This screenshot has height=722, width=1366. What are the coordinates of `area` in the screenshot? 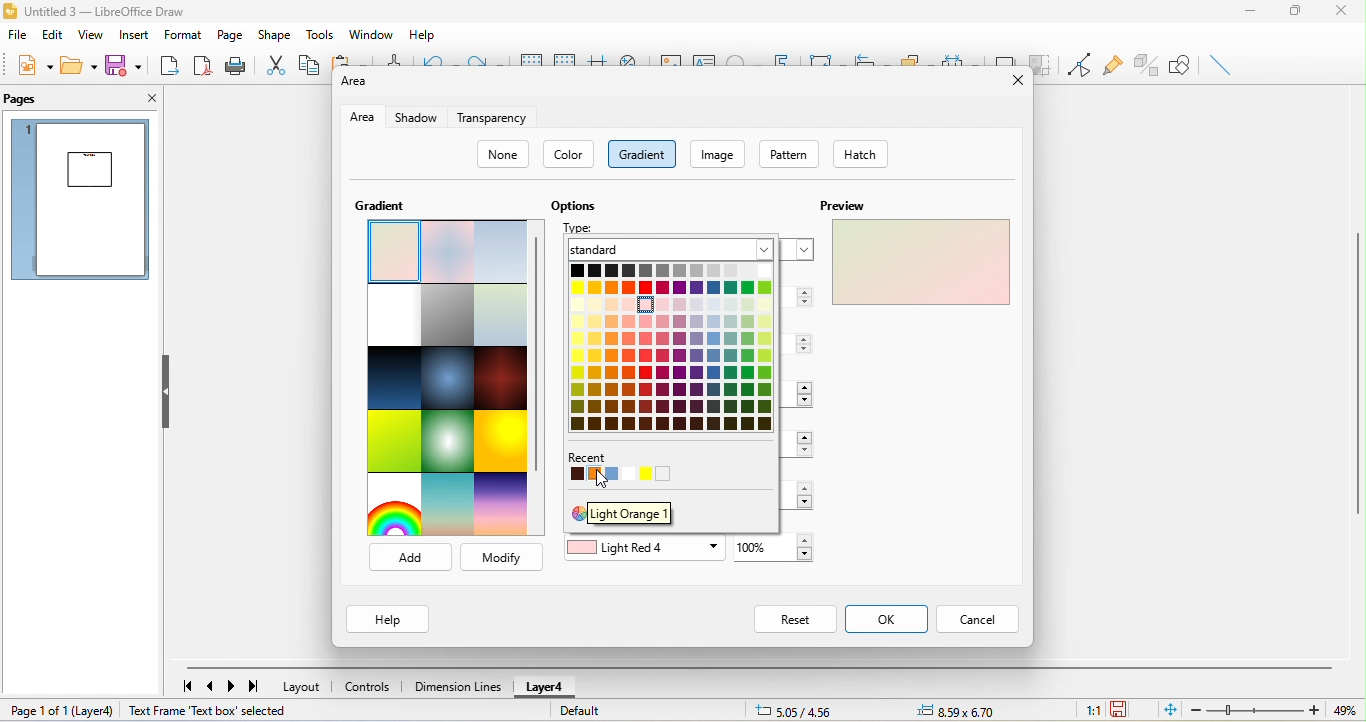 It's located at (362, 116).